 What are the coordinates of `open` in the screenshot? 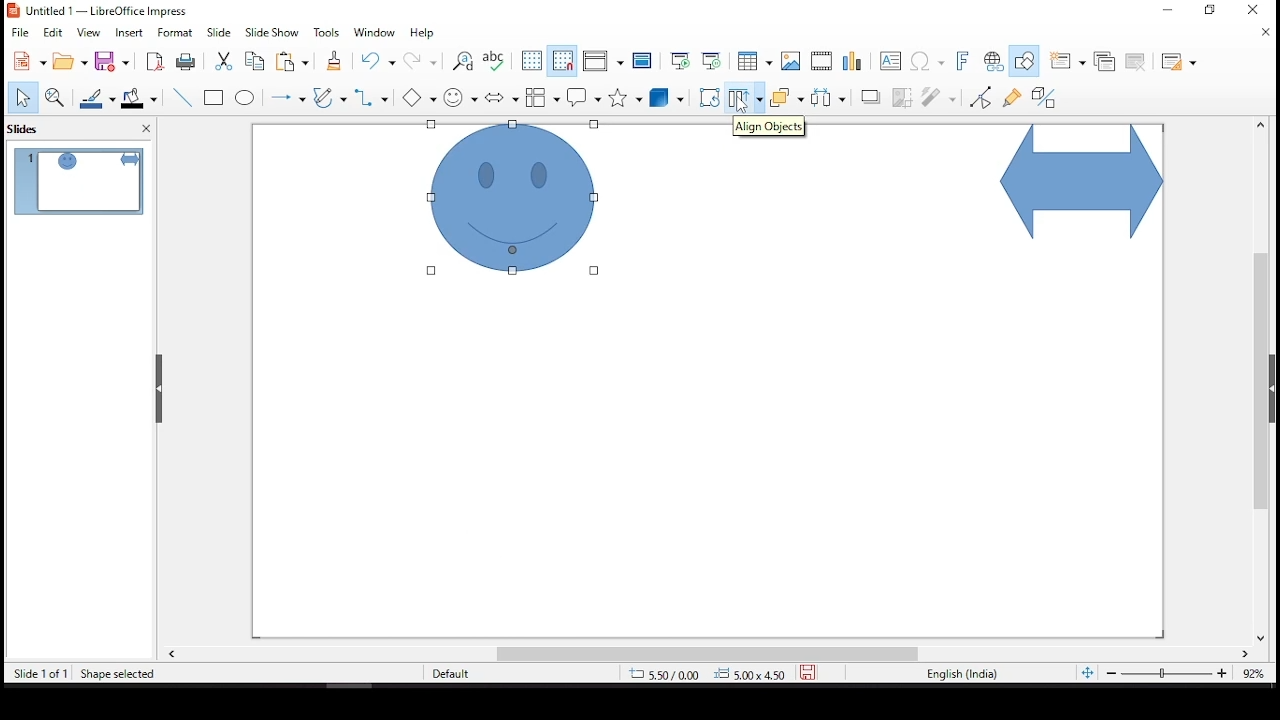 It's located at (70, 61).